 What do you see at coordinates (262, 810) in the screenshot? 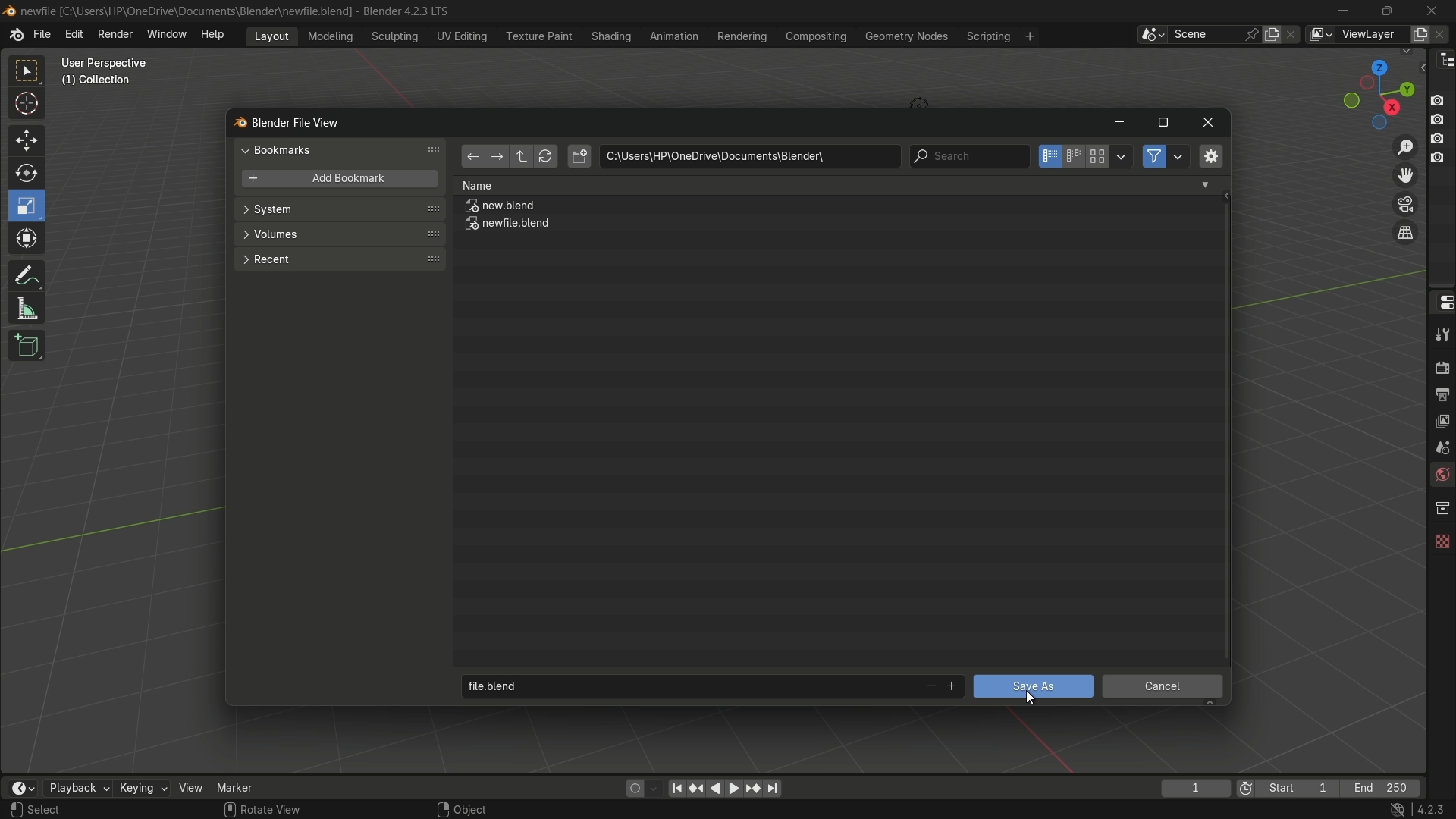
I see `Rotate View` at bounding box center [262, 810].